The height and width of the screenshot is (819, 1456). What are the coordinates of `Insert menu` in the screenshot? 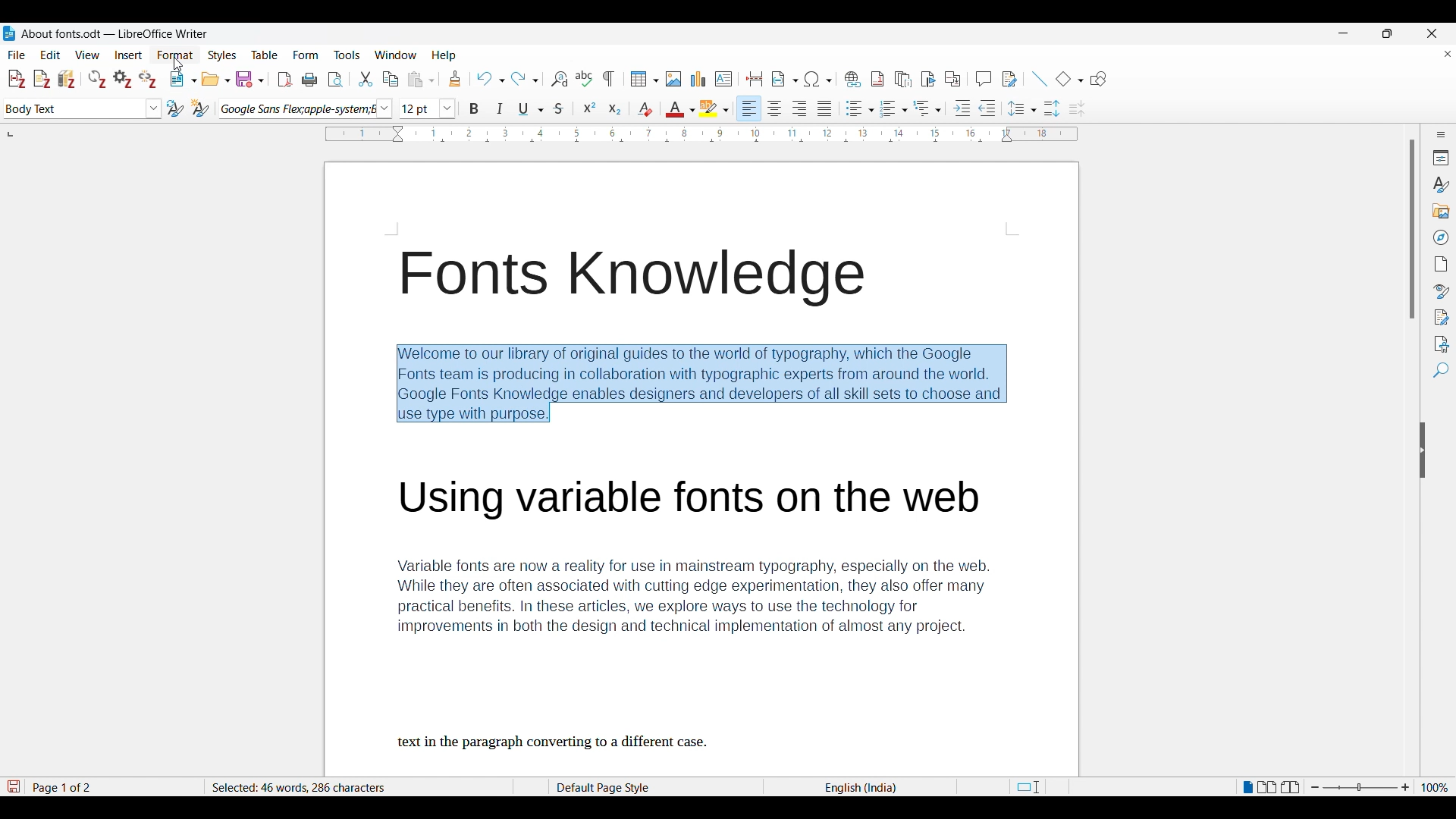 It's located at (128, 55).